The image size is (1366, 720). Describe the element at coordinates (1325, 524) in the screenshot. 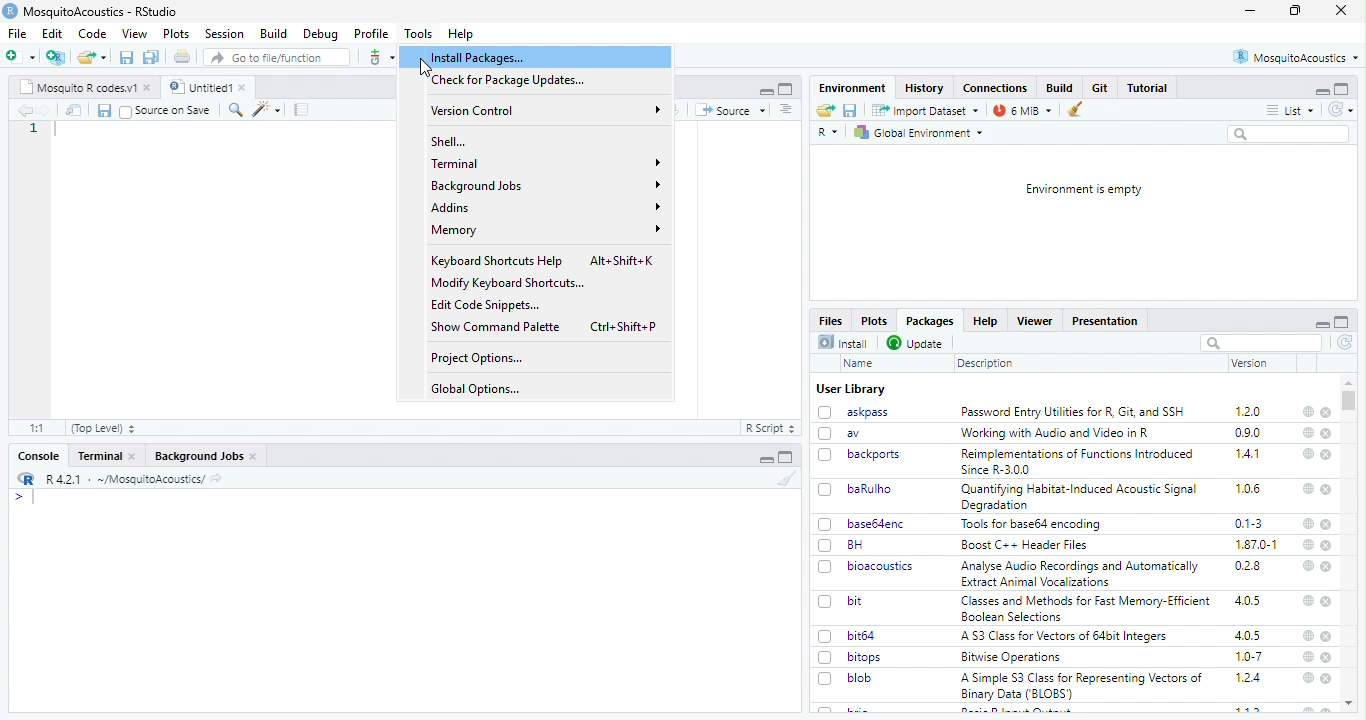

I see `close` at that location.